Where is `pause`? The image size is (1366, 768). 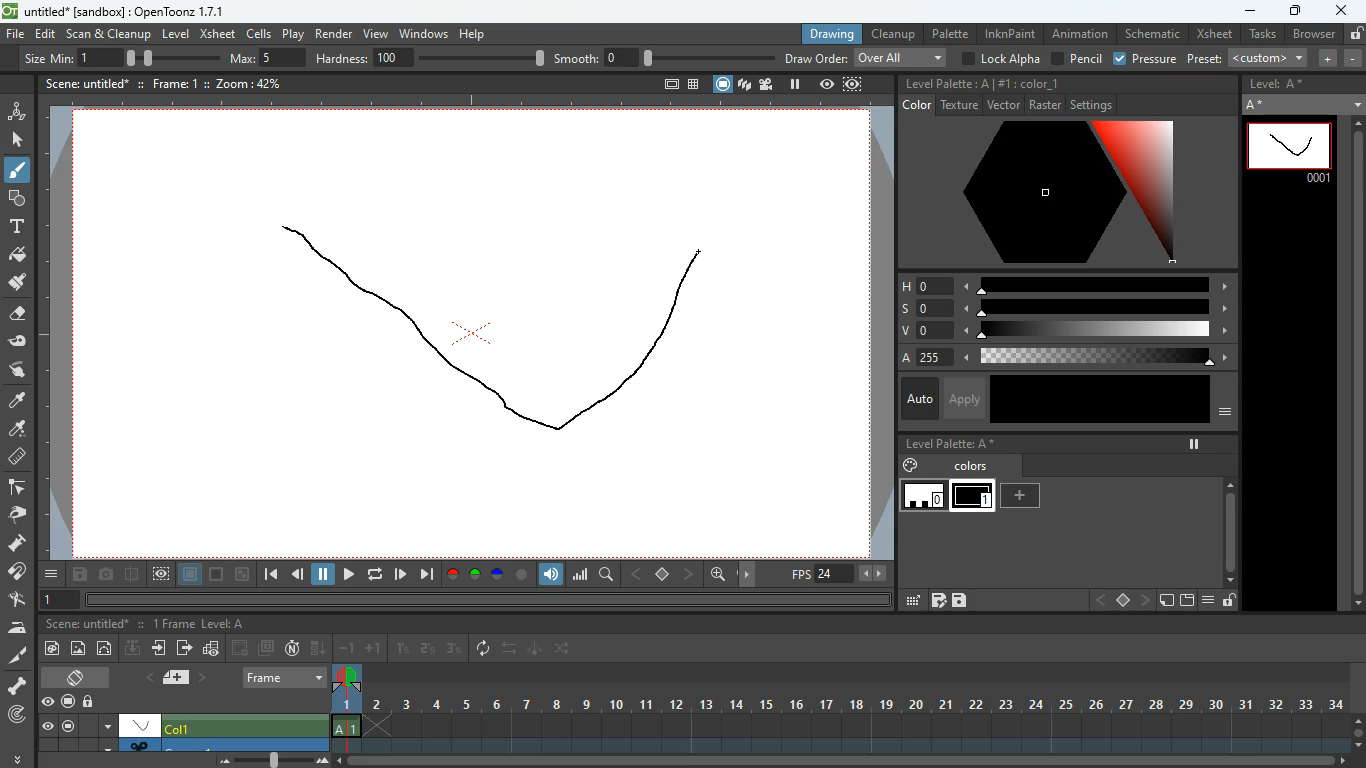
pause is located at coordinates (67, 726).